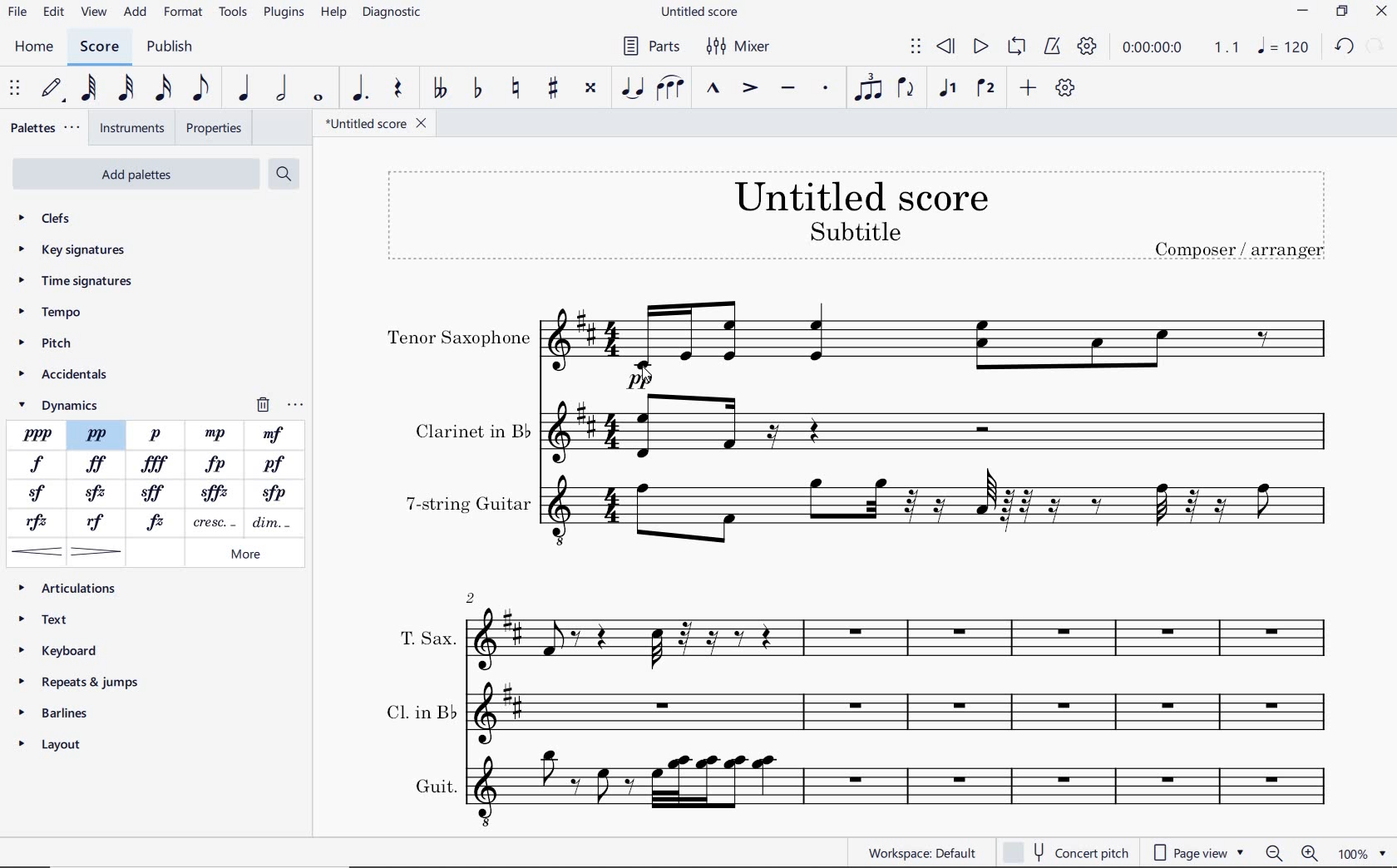 The height and width of the screenshot is (868, 1397). What do you see at coordinates (921, 853) in the screenshot?
I see `WORKSPACE: DEFAULT` at bounding box center [921, 853].